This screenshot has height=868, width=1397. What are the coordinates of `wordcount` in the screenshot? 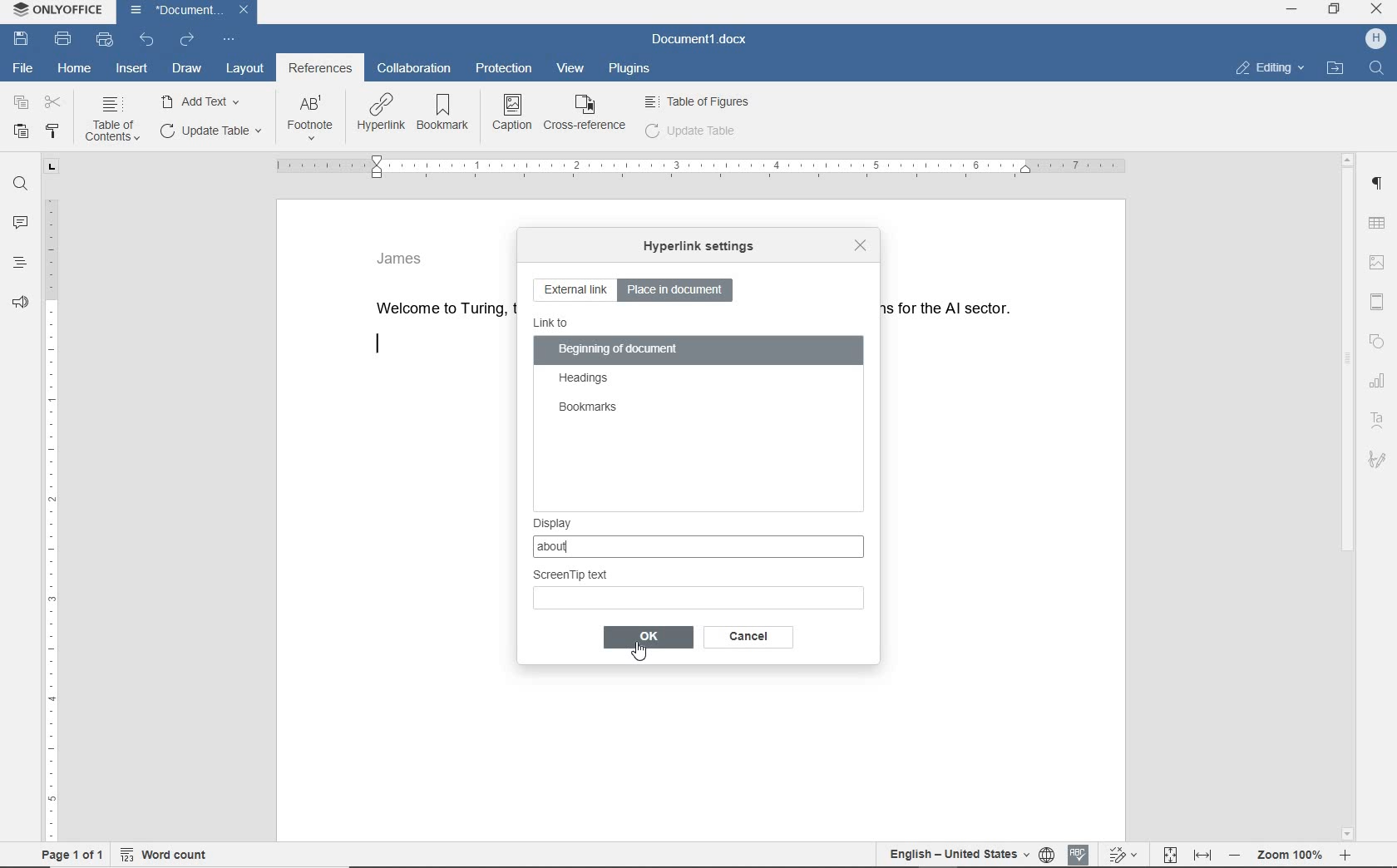 It's located at (168, 855).